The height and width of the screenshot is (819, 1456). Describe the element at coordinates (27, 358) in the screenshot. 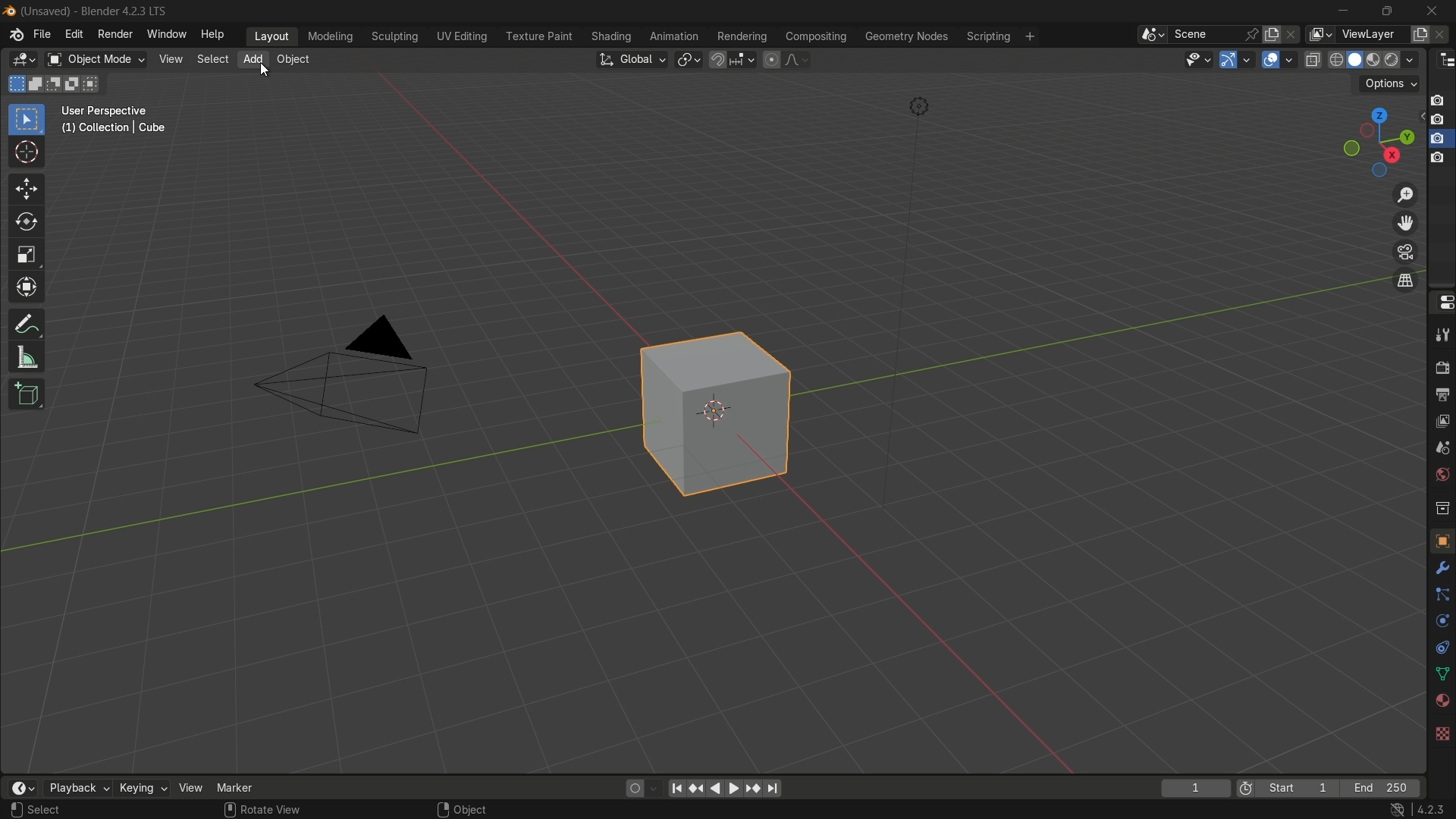

I see `measure` at that location.